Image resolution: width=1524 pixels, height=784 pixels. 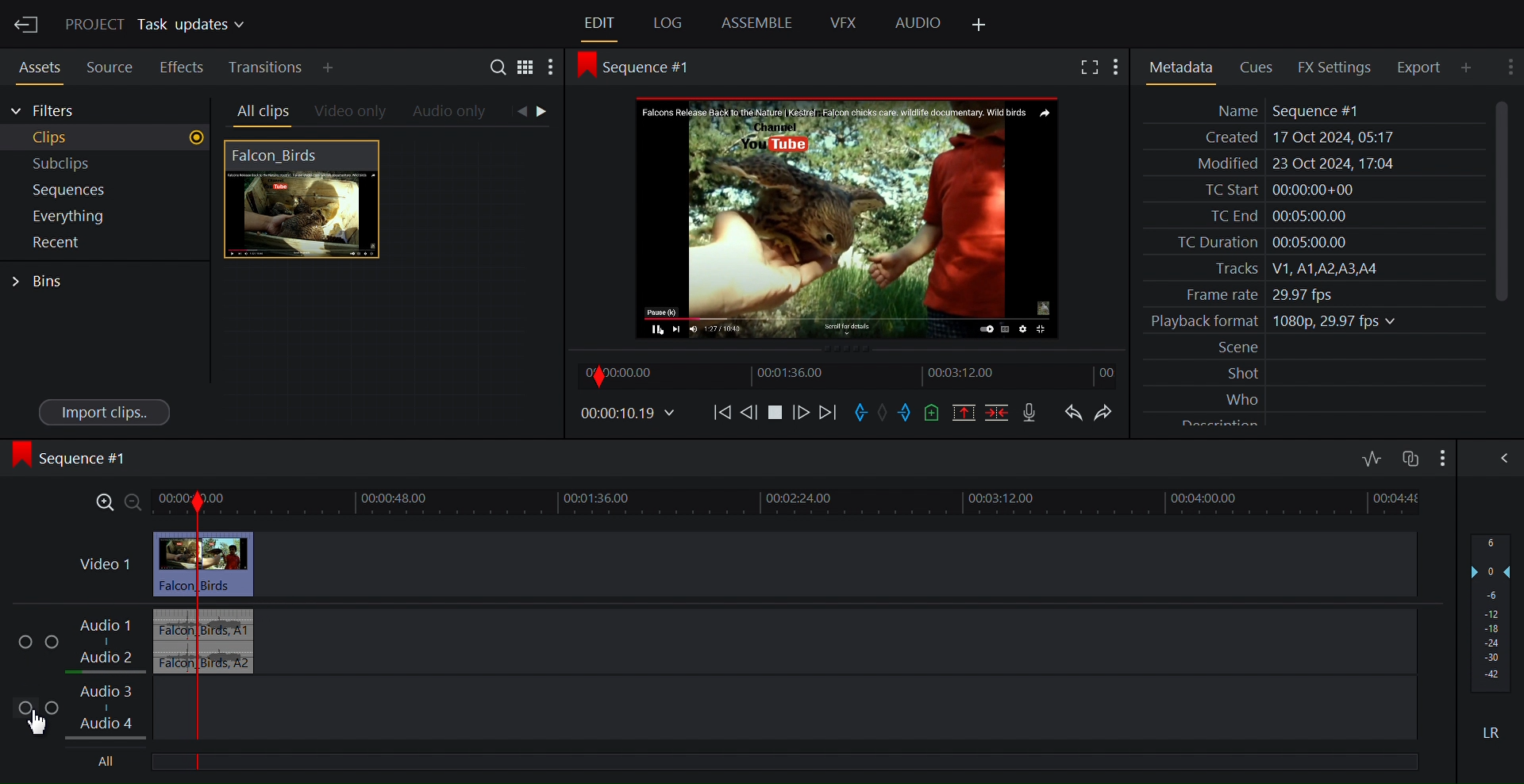 I want to click on (un)mute, so click(x=26, y=643).